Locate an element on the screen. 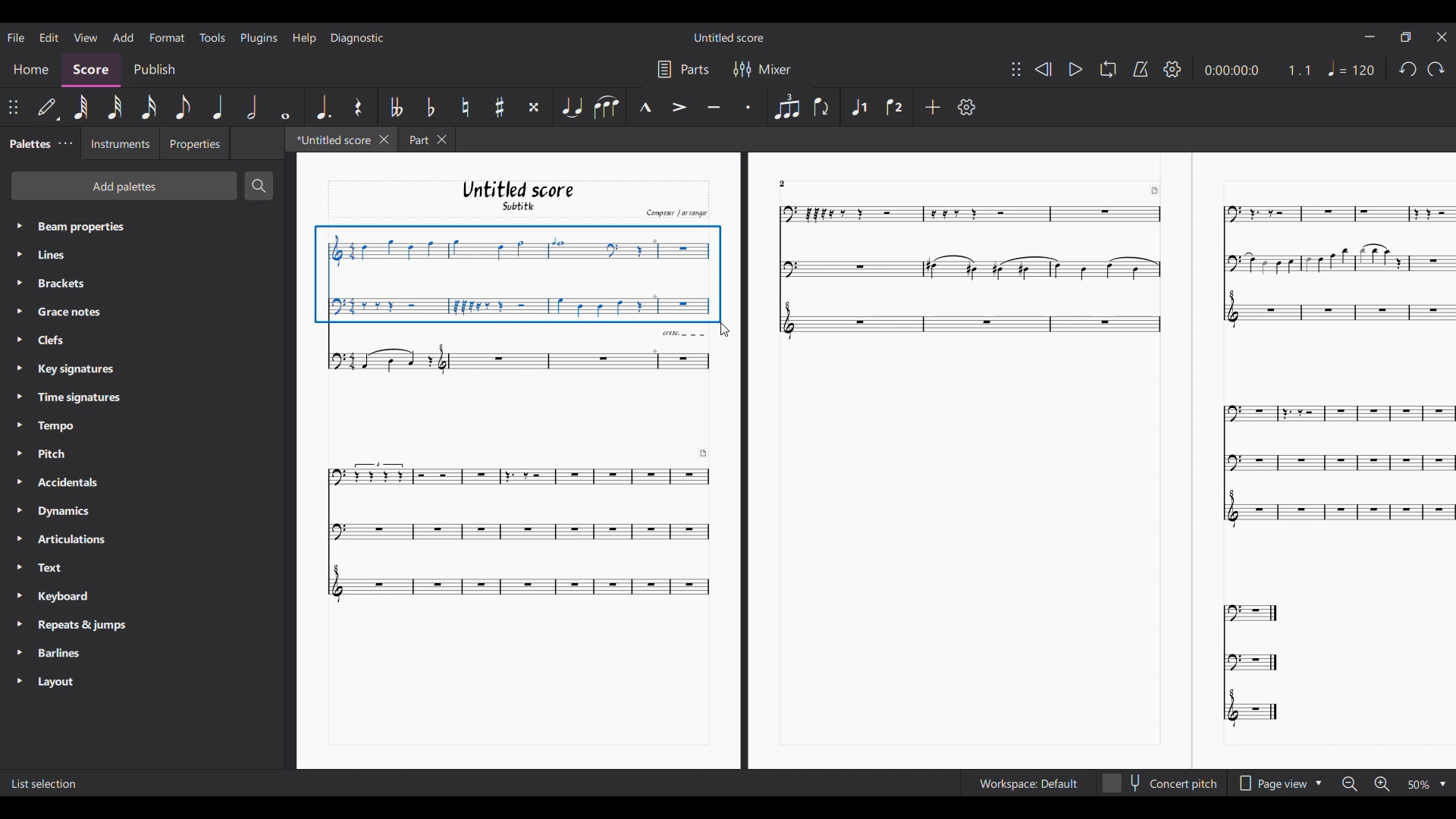 This screenshot has width=1456, height=819. Flip direction is located at coordinates (821, 108).